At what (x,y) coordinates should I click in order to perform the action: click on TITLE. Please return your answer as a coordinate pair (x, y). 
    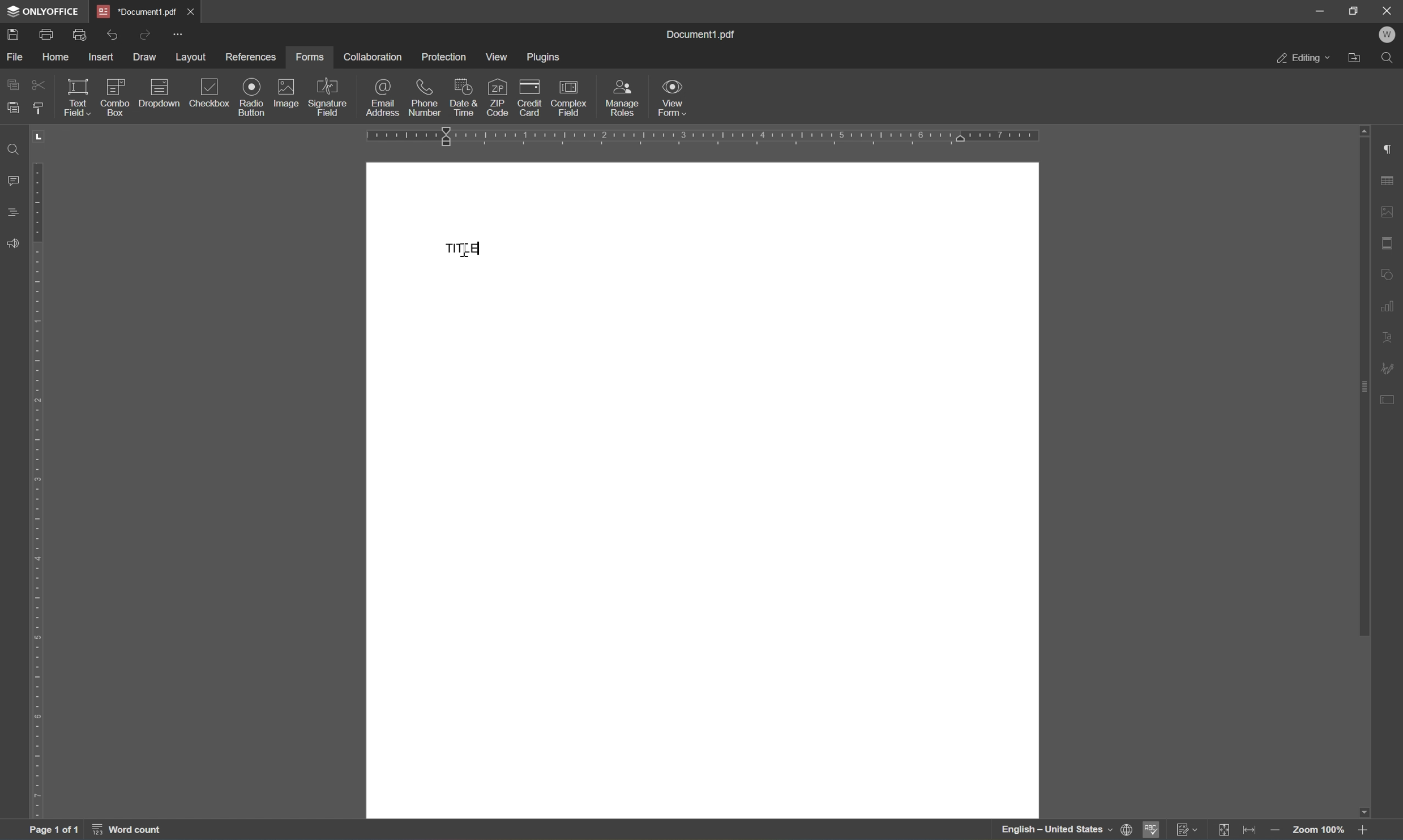
    Looking at the image, I should click on (458, 251).